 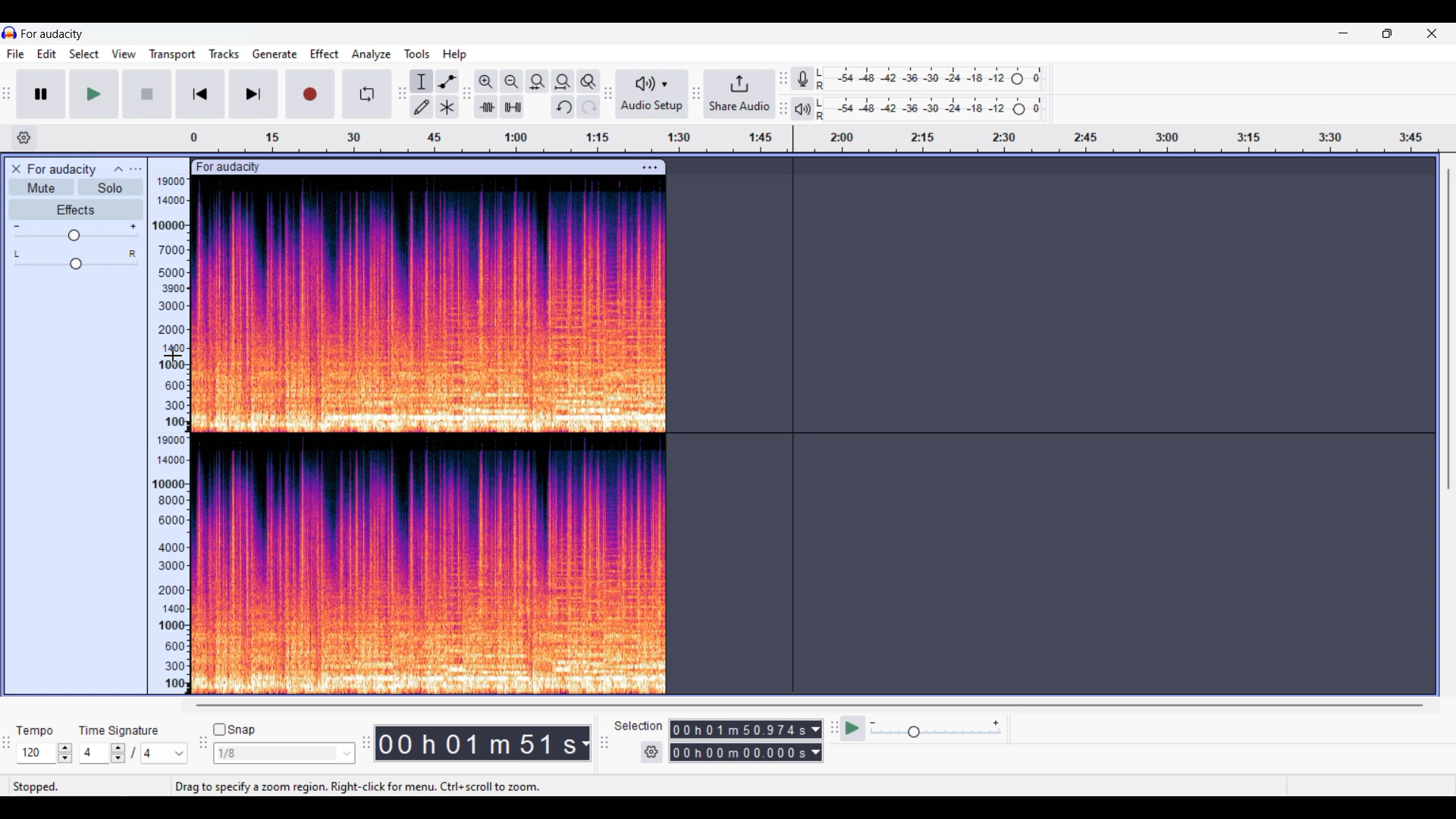 I want to click on Pan slider, so click(x=76, y=260).